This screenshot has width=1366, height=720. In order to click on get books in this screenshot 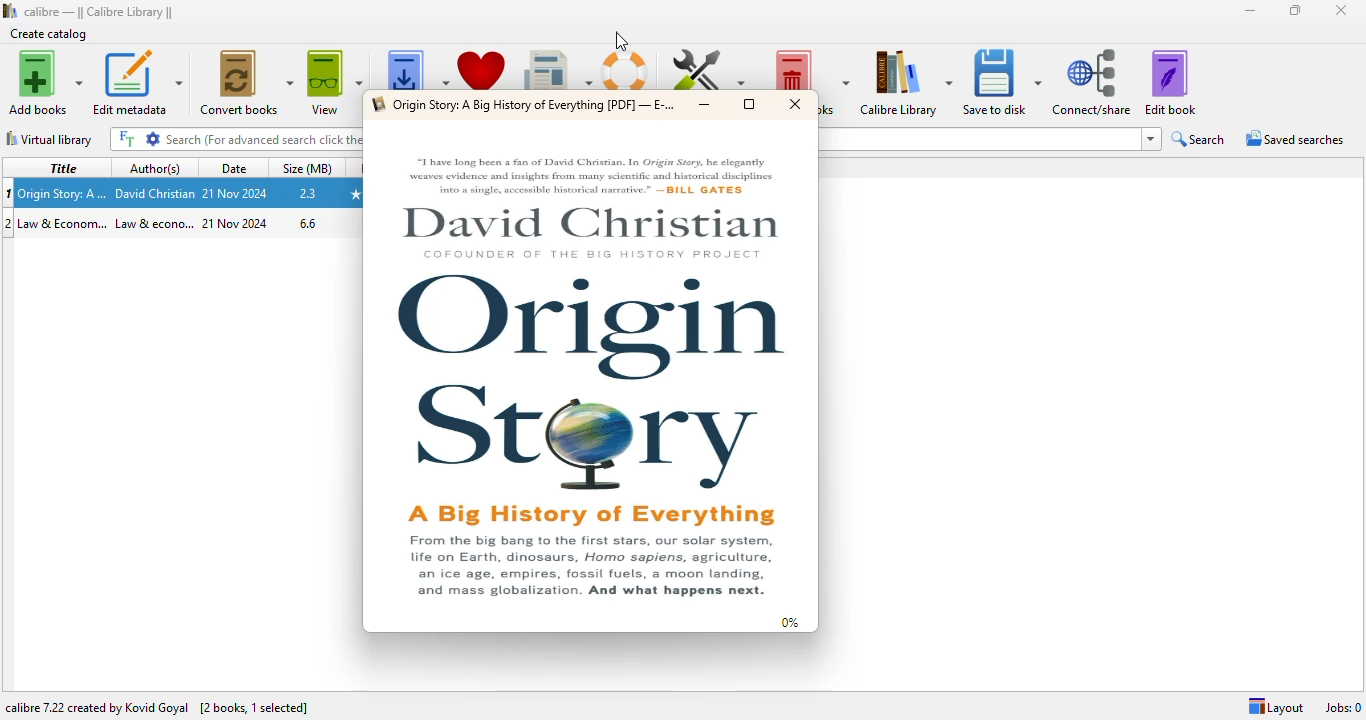, I will do `click(413, 69)`.